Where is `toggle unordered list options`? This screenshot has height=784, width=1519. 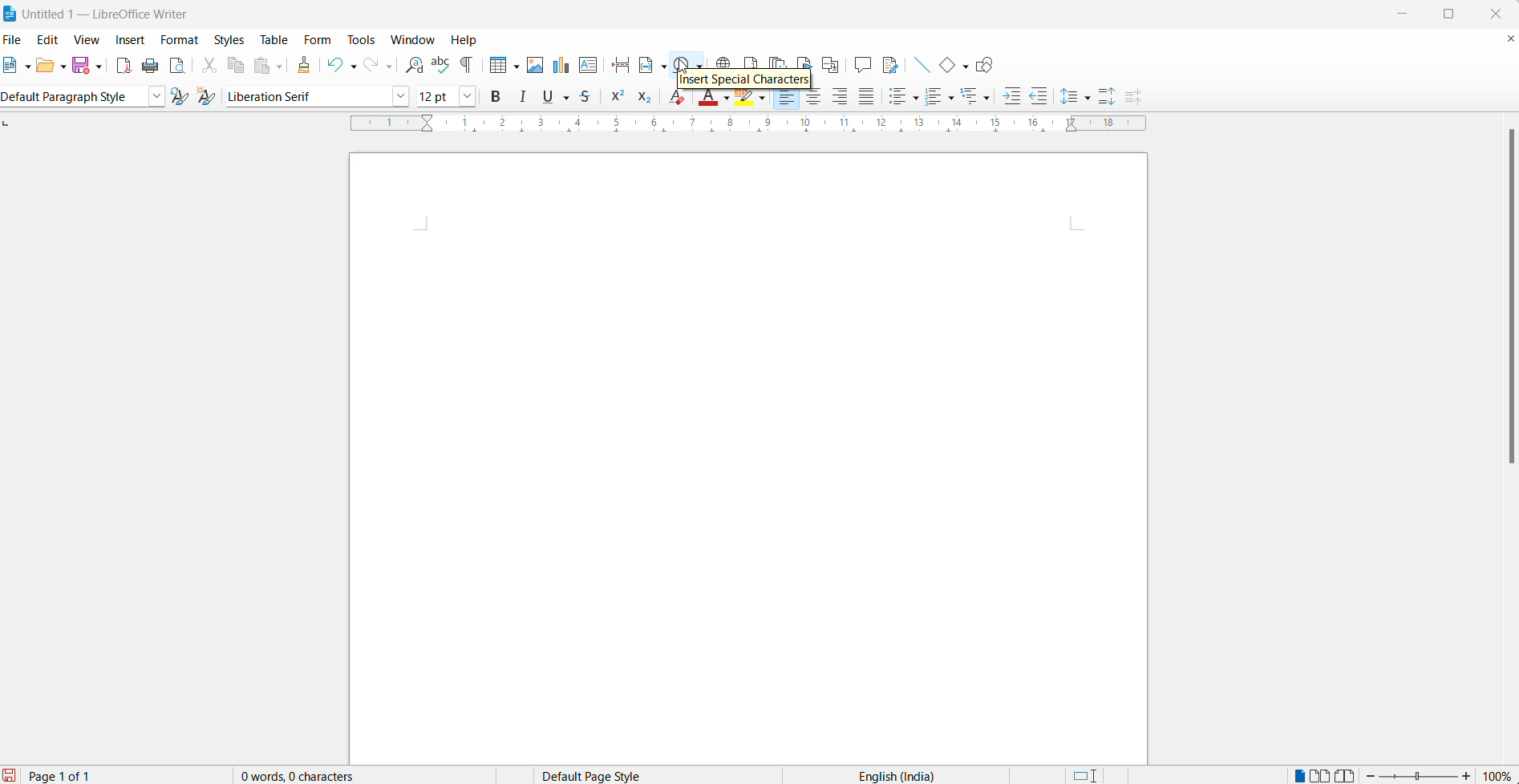 toggle unordered list options is located at coordinates (917, 98).